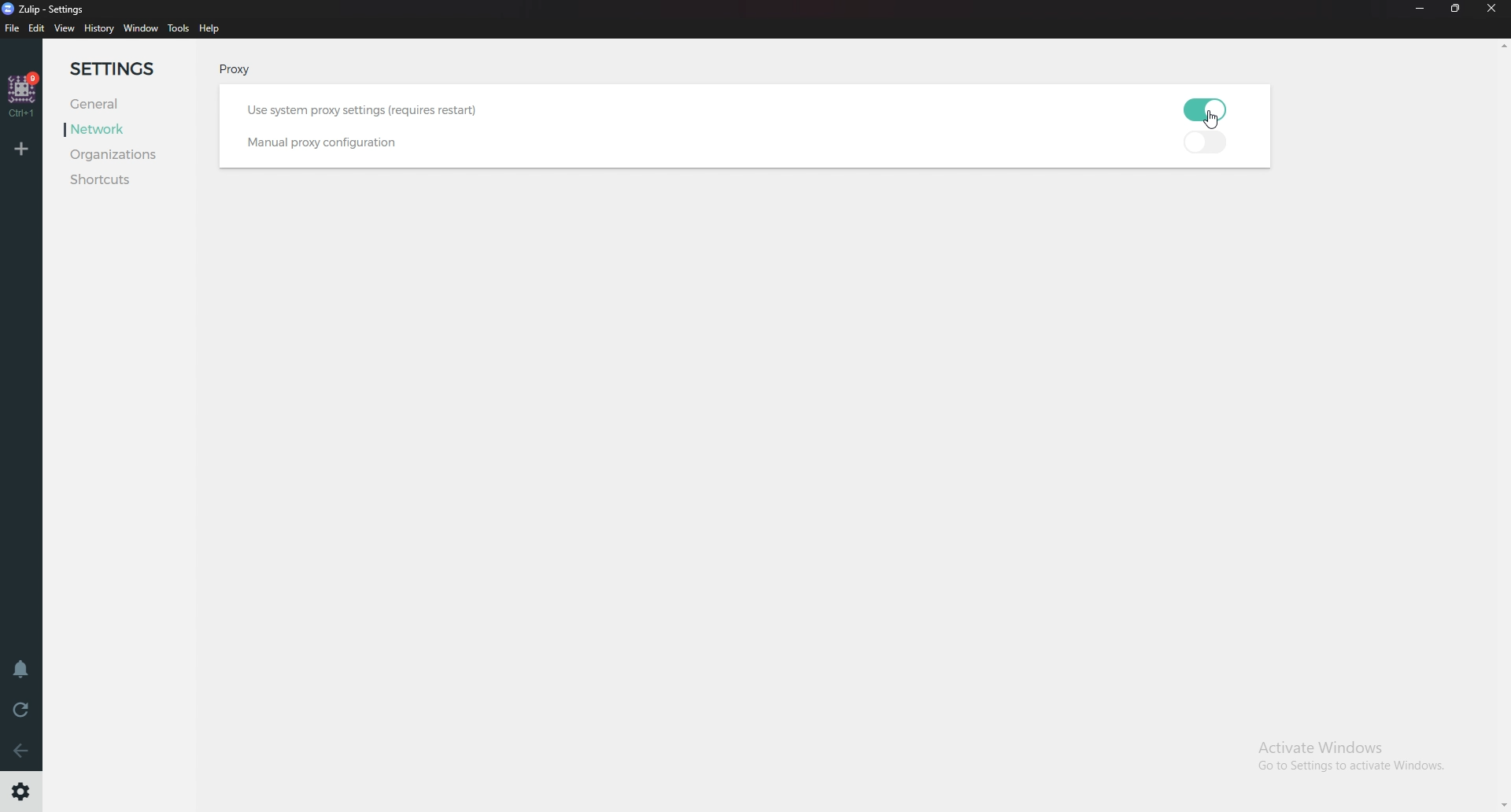  I want to click on tools, so click(179, 28).